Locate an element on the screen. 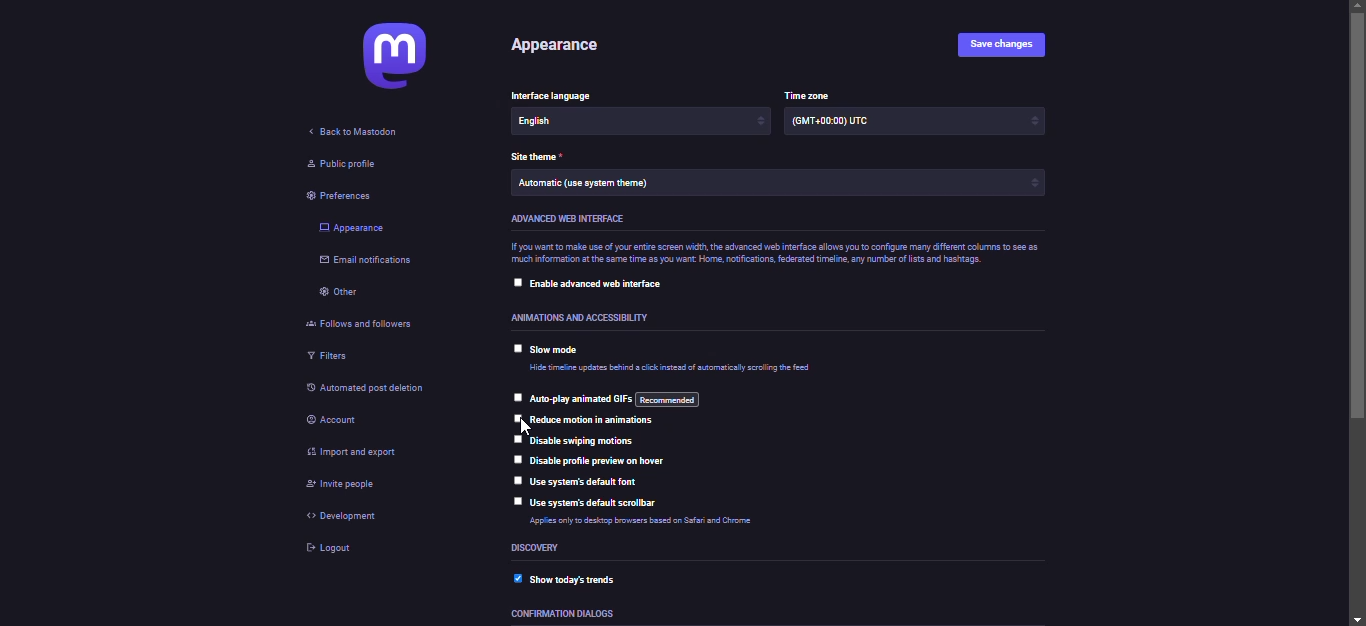 This screenshot has width=1366, height=626. use system's default font is located at coordinates (594, 484).